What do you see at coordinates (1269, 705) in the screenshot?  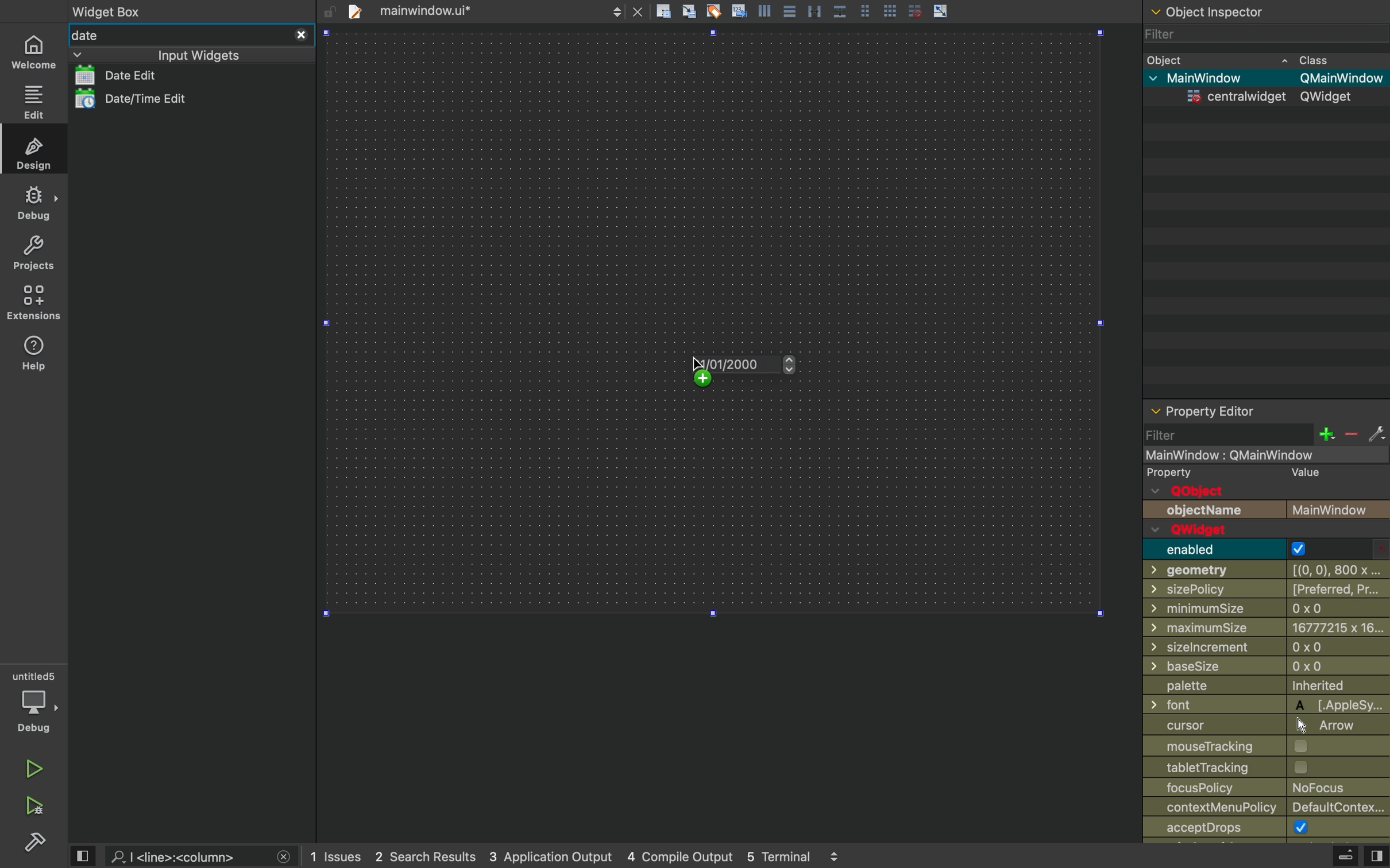 I see `font` at bounding box center [1269, 705].